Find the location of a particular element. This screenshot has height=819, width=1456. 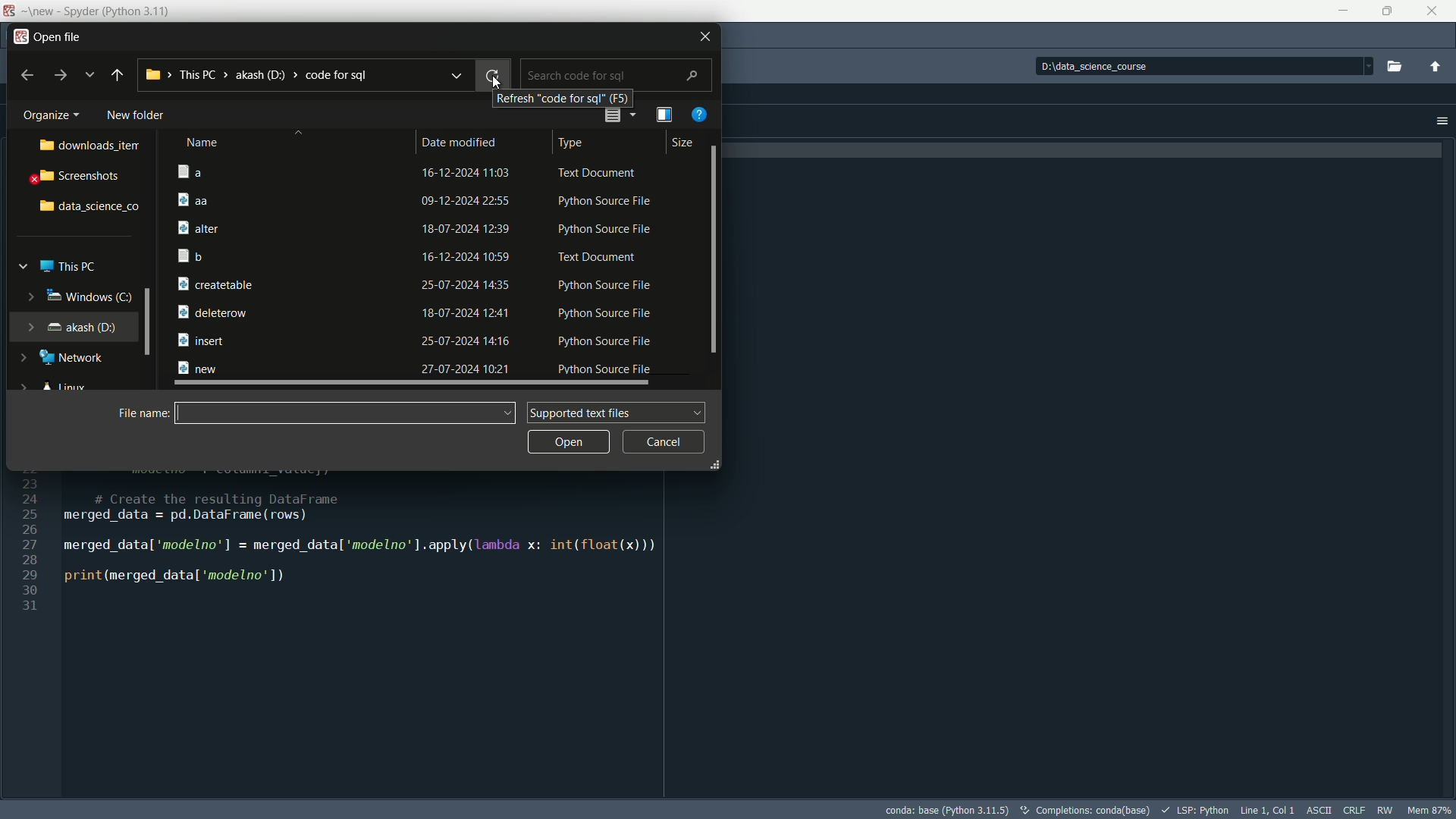

file name is located at coordinates (142, 413).